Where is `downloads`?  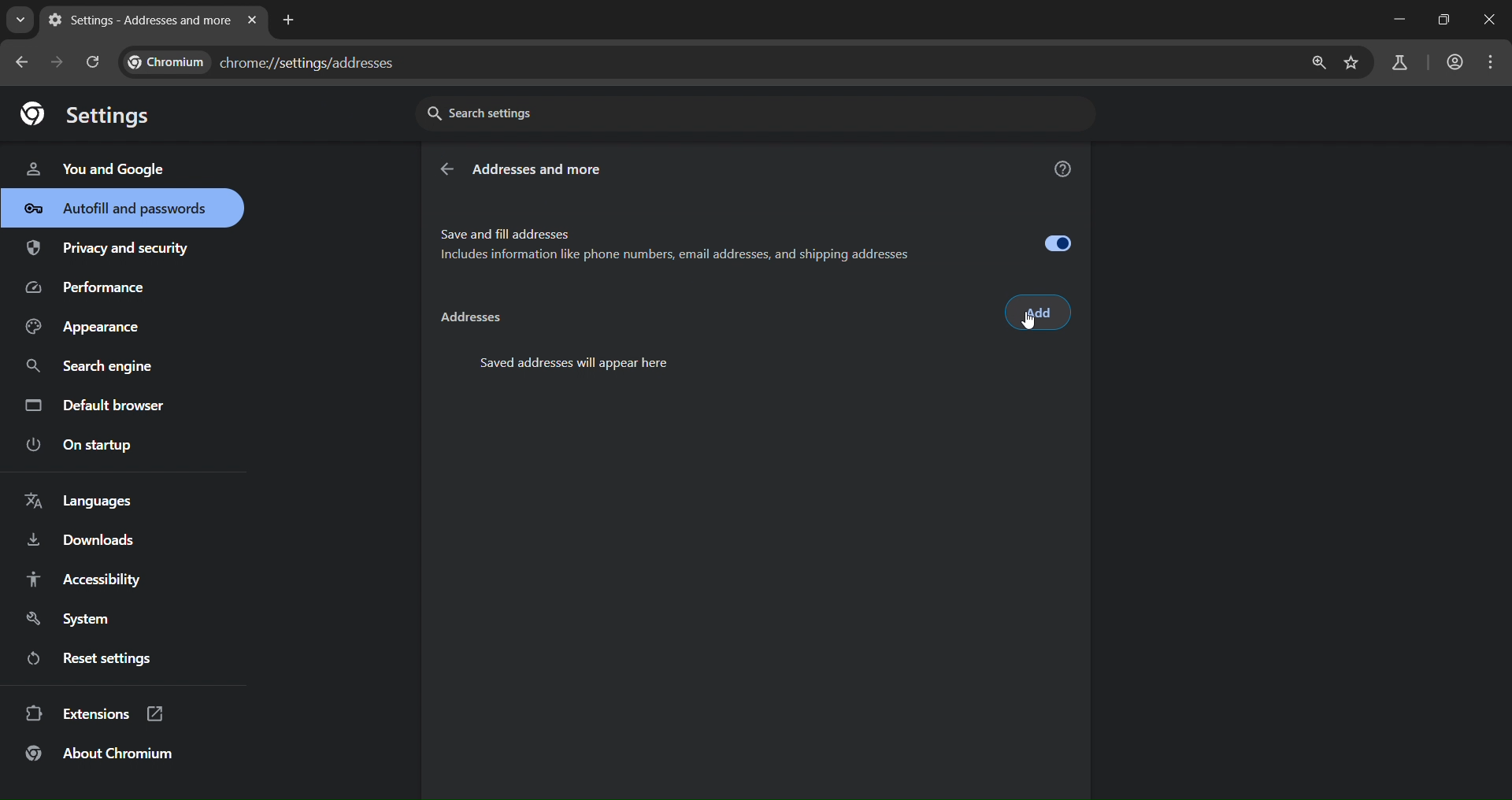 downloads is located at coordinates (80, 543).